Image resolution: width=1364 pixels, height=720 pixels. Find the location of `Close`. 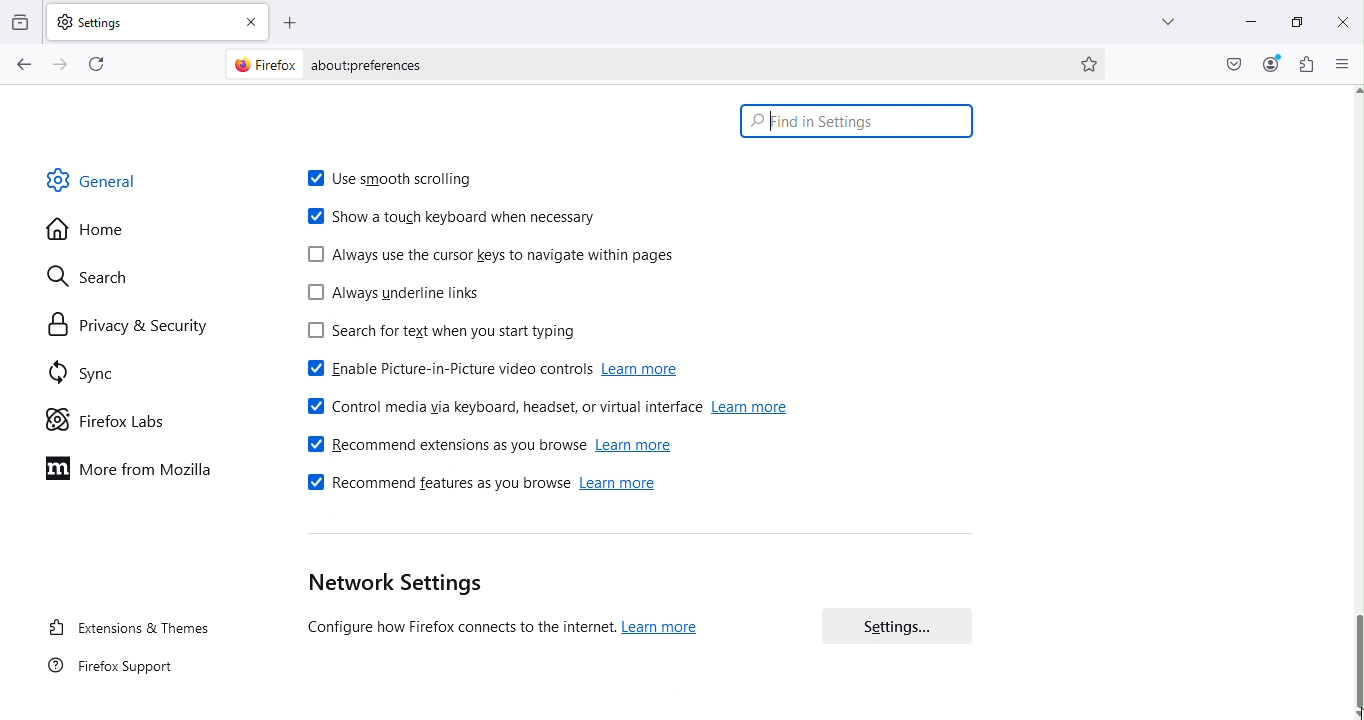

Close is located at coordinates (1342, 21).